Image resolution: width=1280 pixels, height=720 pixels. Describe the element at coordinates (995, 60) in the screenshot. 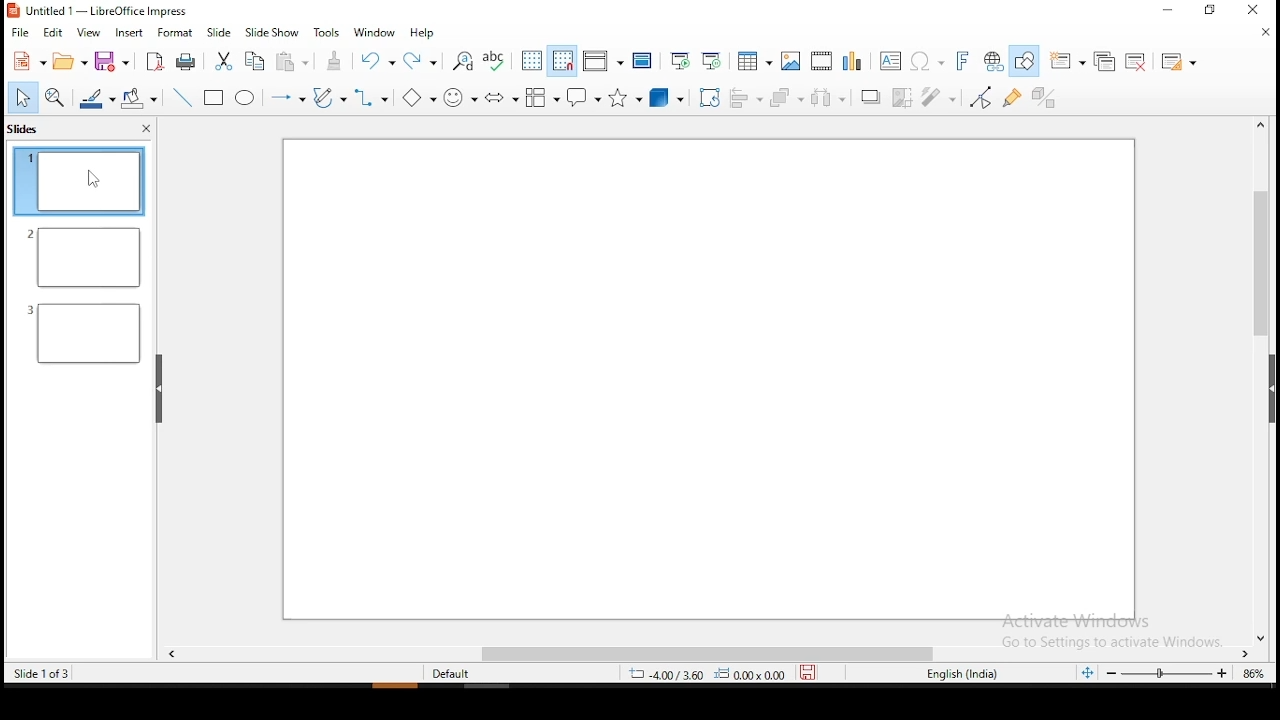

I see `insert hyperlink` at that location.